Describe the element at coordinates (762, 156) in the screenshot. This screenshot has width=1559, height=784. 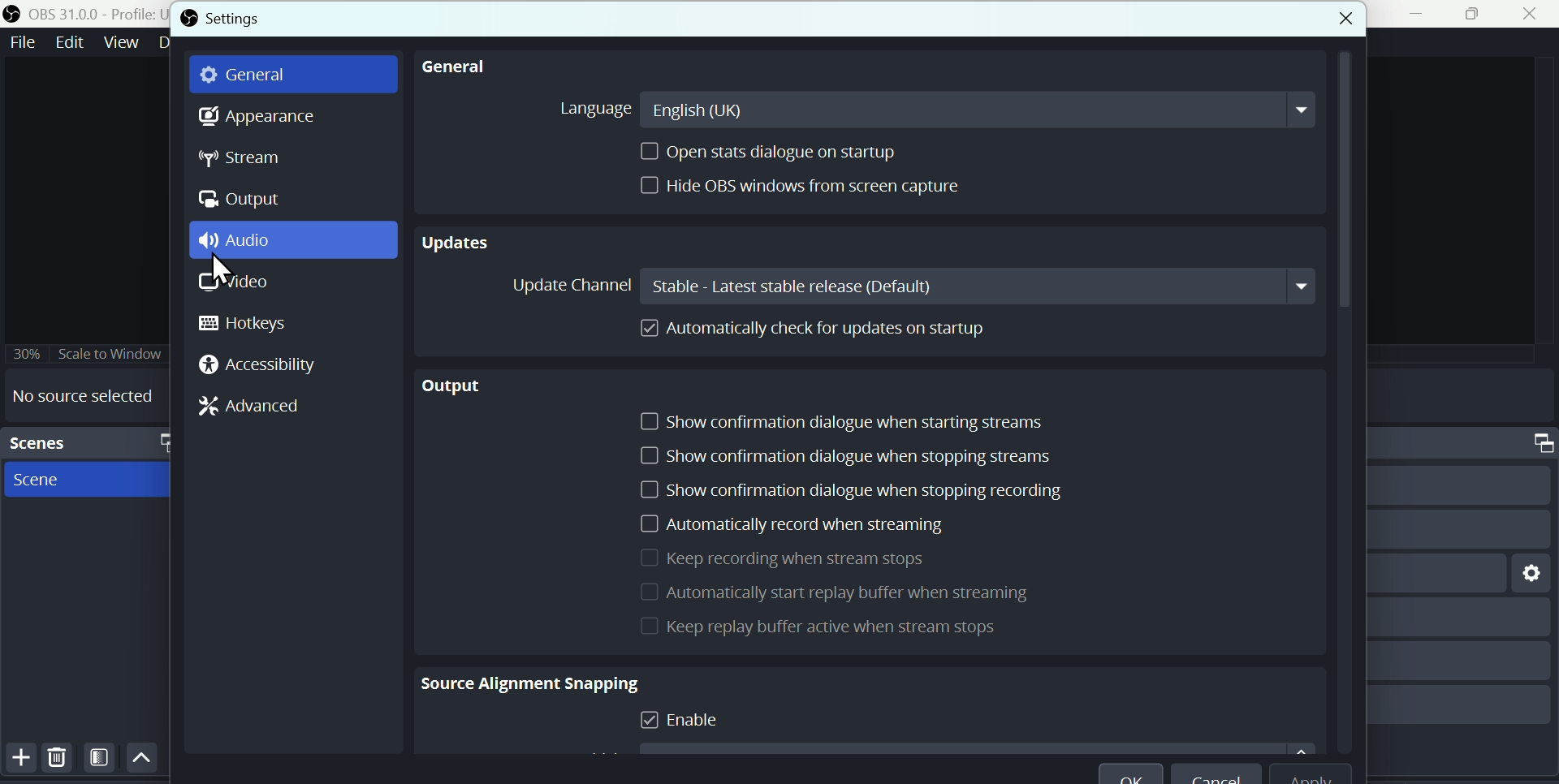
I see `Open stats dialogue` at that location.